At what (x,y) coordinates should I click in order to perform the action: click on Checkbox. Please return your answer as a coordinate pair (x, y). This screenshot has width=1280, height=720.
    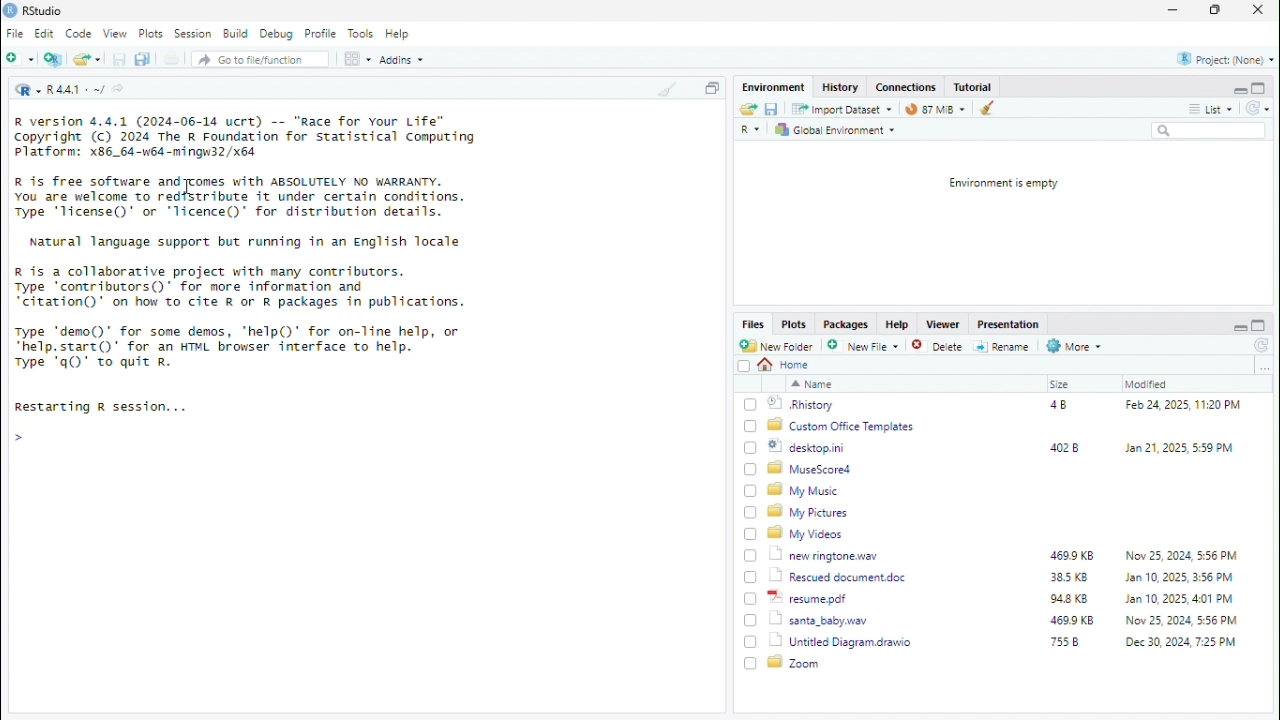
    Looking at the image, I should click on (751, 491).